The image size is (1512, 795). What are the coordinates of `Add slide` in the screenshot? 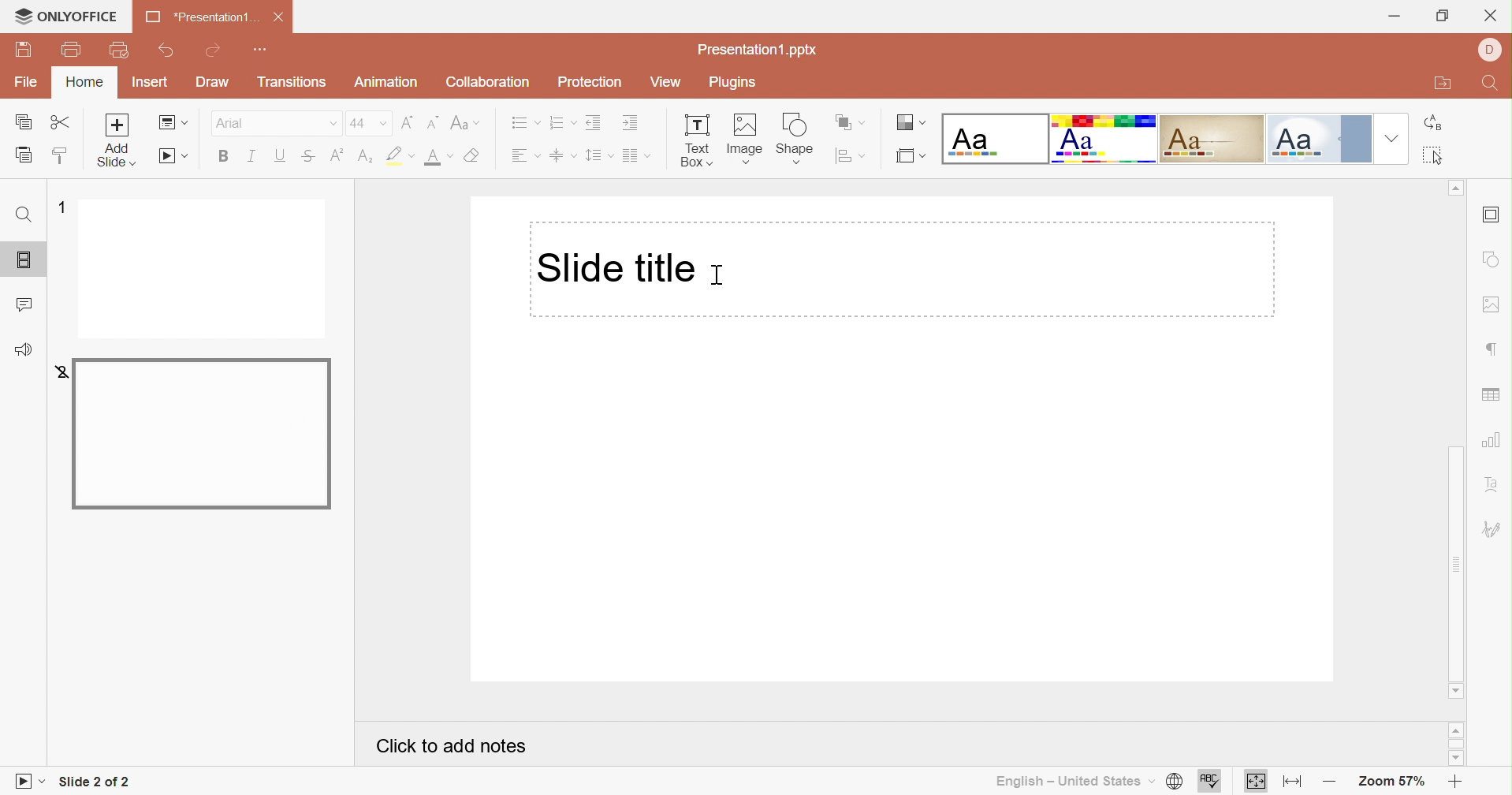 It's located at (117, 125).